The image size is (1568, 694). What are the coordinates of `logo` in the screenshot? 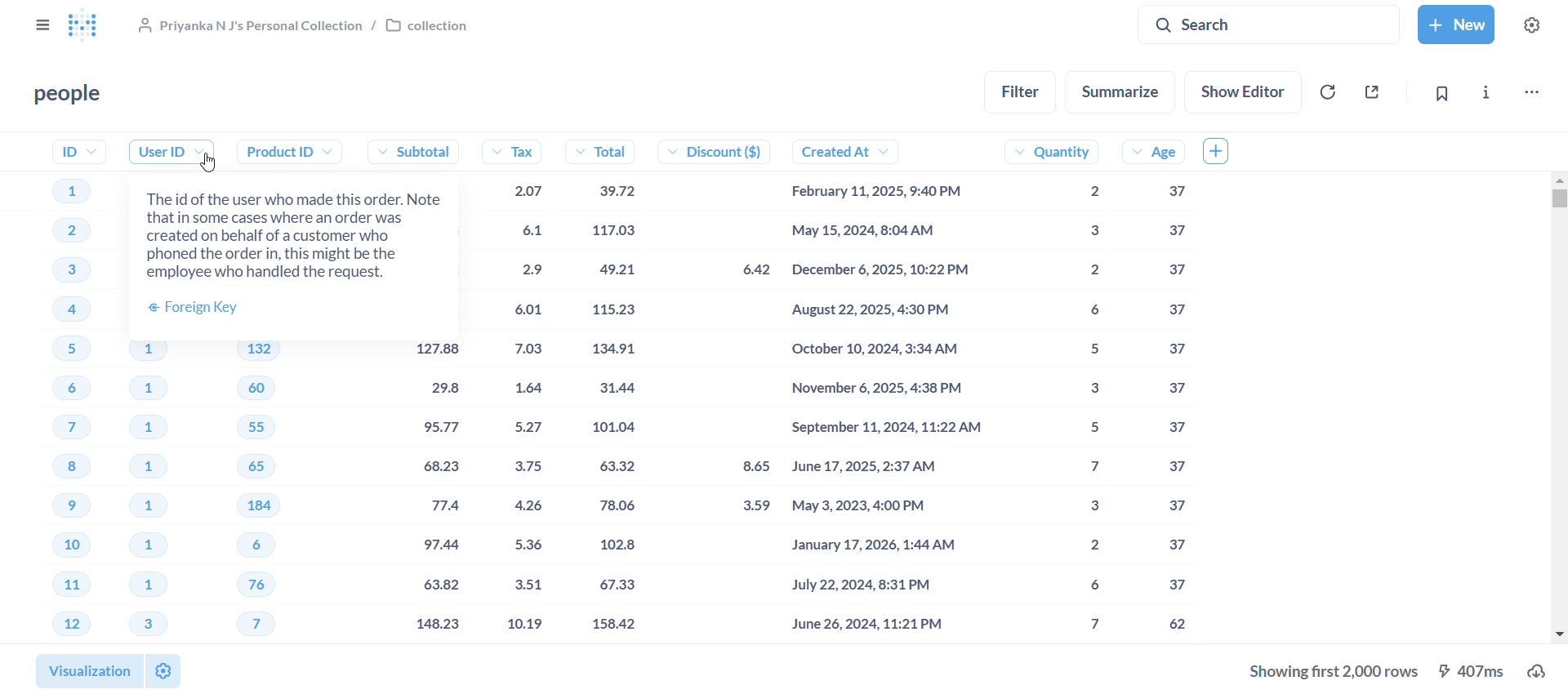 It's located at (91, 26).